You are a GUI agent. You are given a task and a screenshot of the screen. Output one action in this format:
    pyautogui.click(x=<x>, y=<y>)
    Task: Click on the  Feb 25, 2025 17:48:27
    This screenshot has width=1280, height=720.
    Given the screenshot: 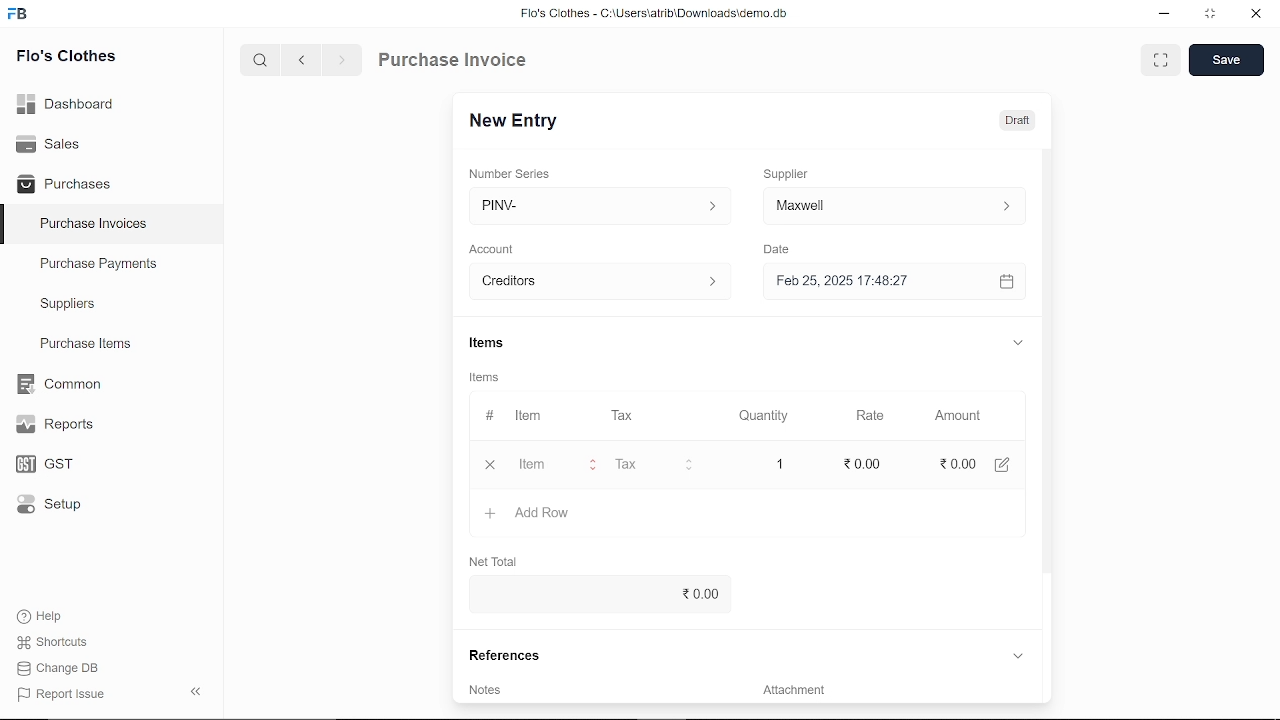 What is the action you would take?
    pyautogui.click(x=874, y=281)
    